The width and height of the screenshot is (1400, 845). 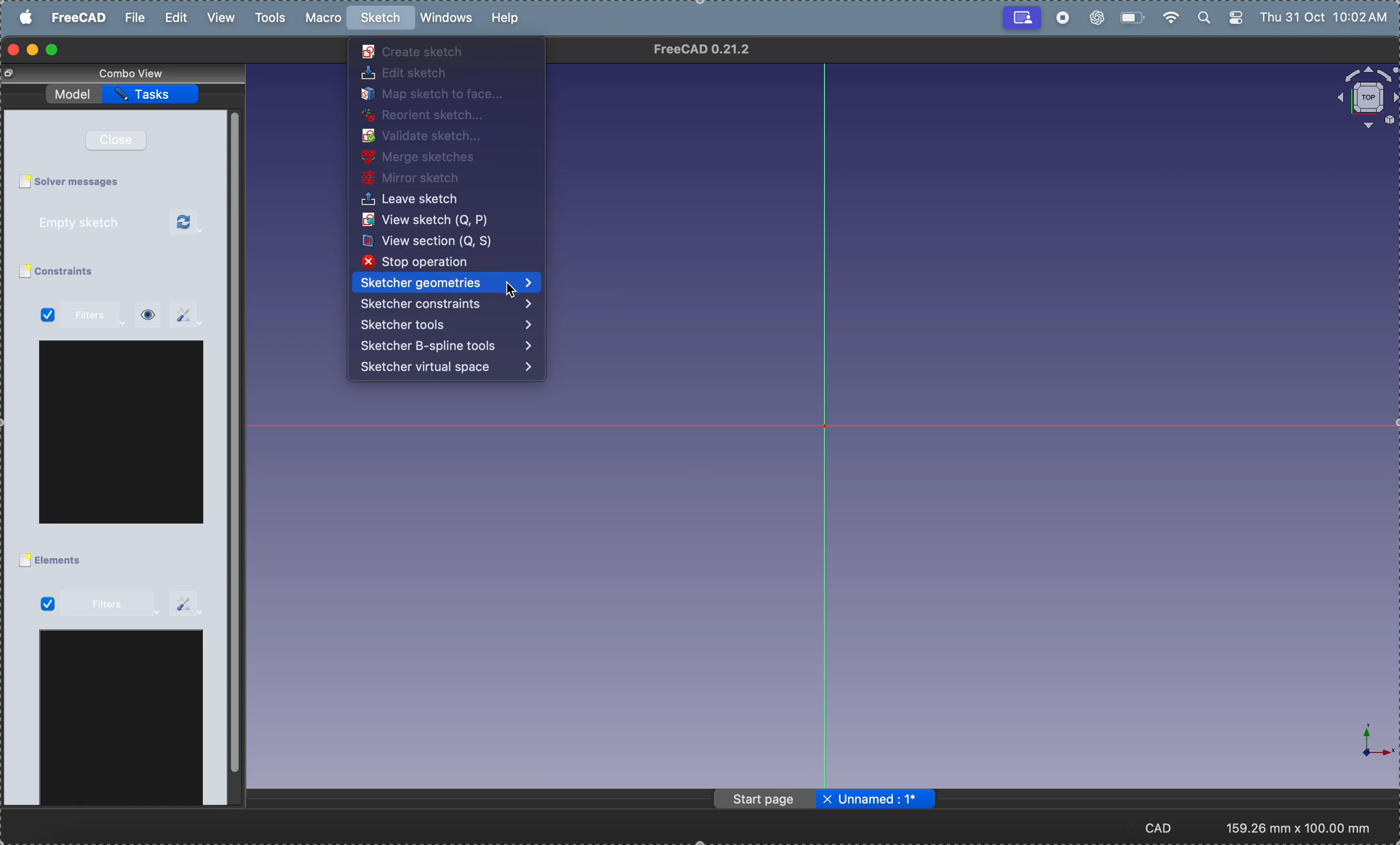 What do you see at coordinates (436, 263) in the screenshot?
I see `stop operation` at bounding box center [436, 263].